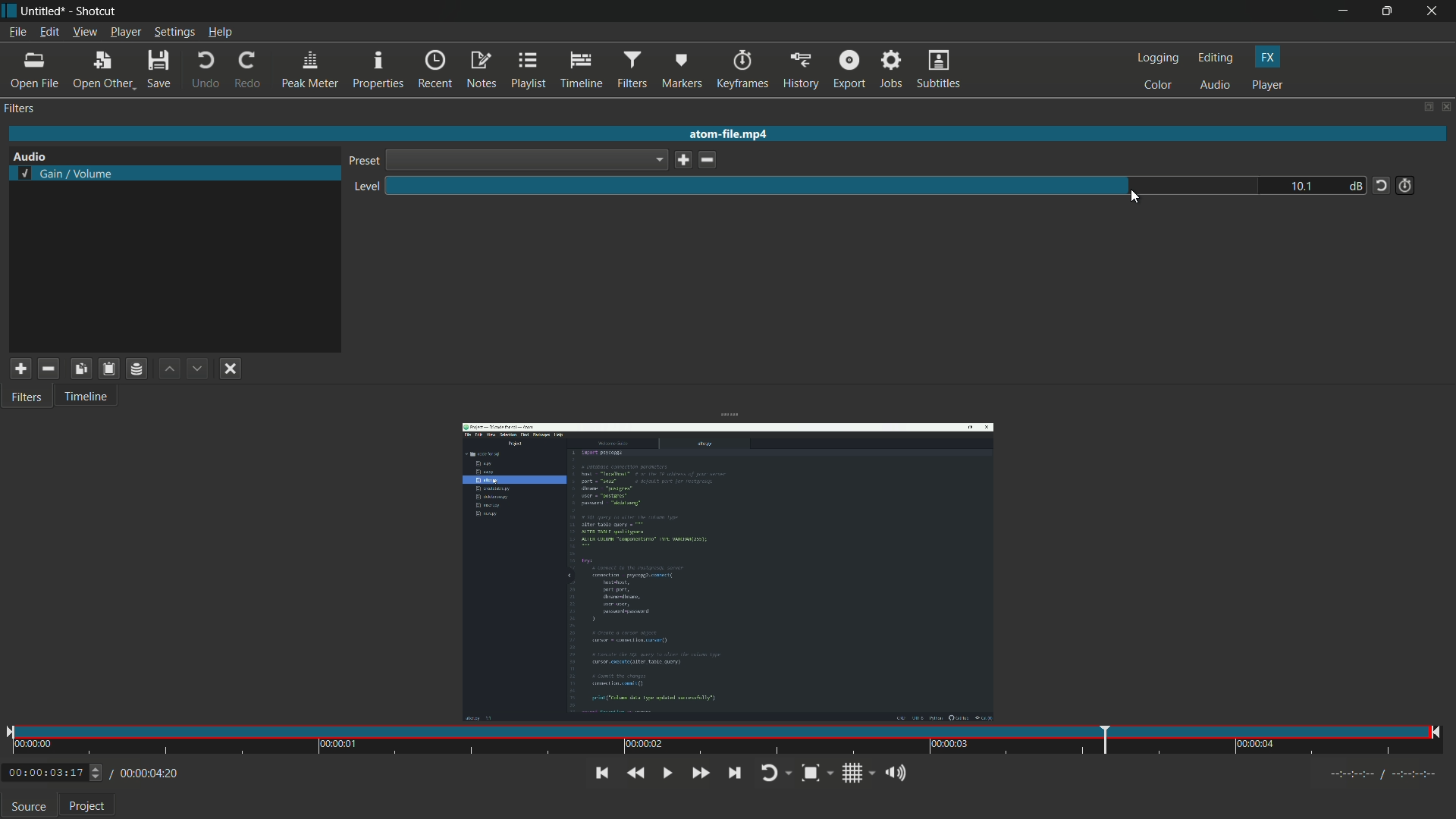 This screenshot has height=819, width=1456. I want to click on toggle zoom, so click(817, 774).